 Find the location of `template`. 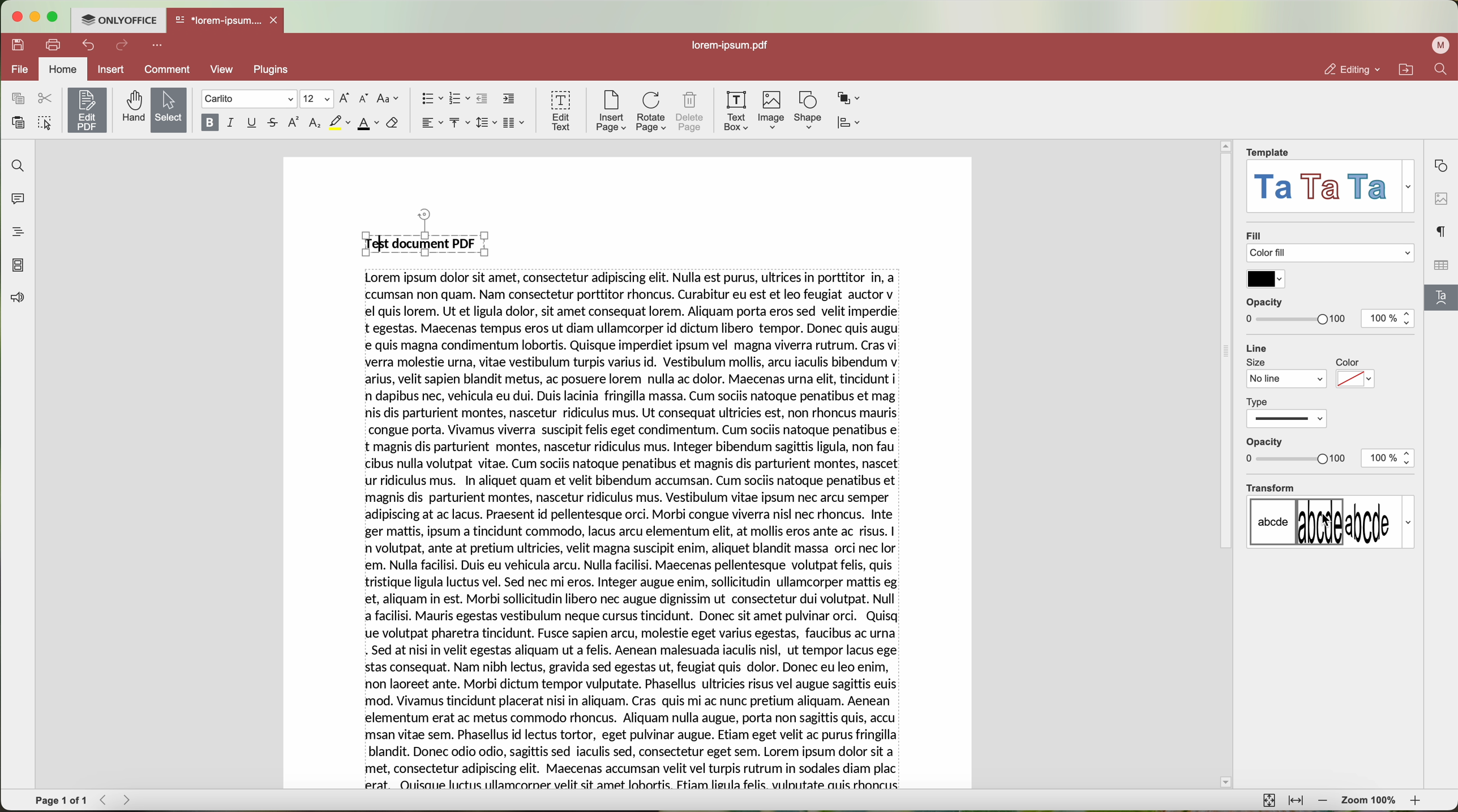

template is located at coordinates (1269, 152).